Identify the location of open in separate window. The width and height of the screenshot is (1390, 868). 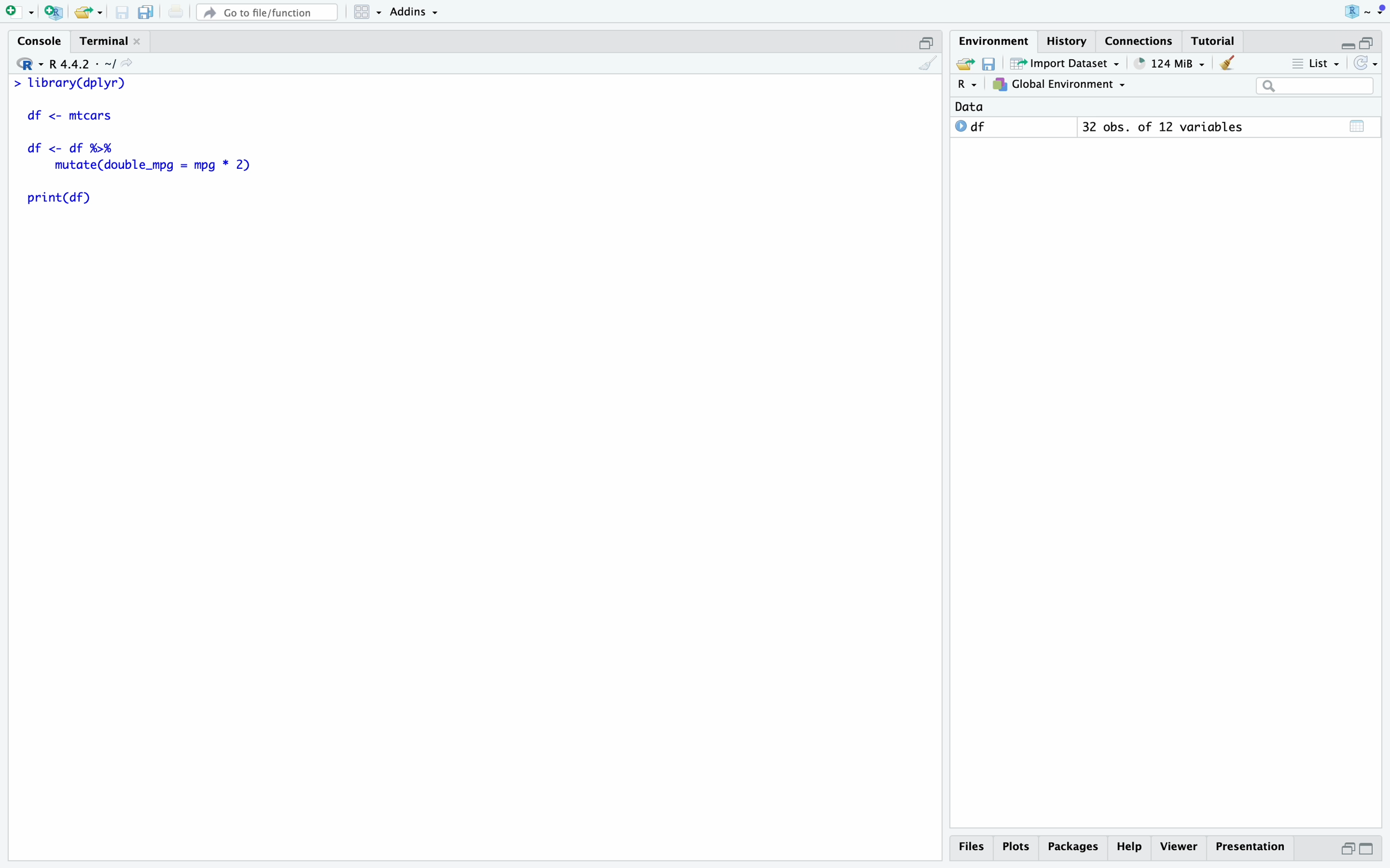
(1347, 849).